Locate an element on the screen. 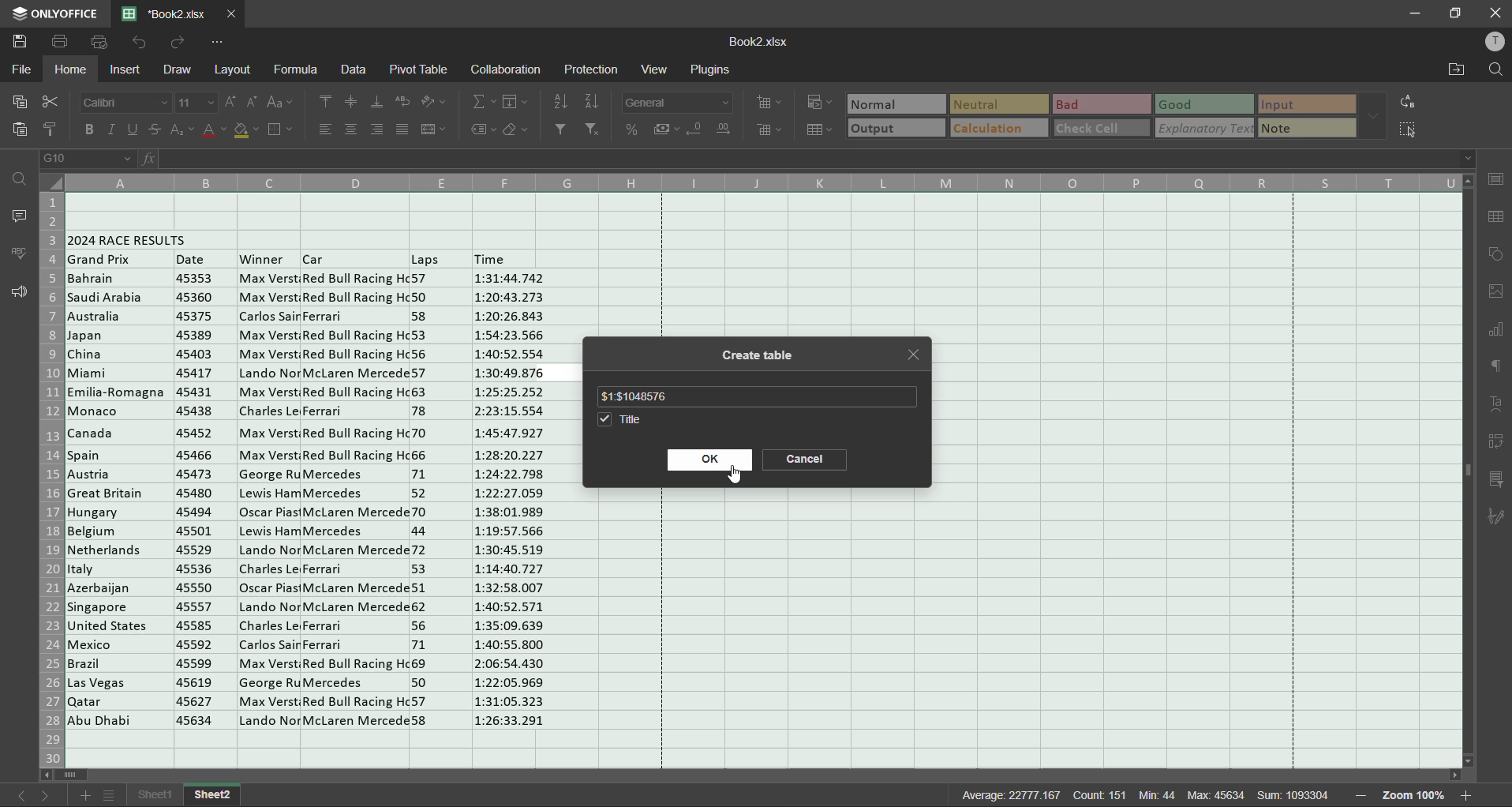  delete cells is located at coordinates (770, 130).